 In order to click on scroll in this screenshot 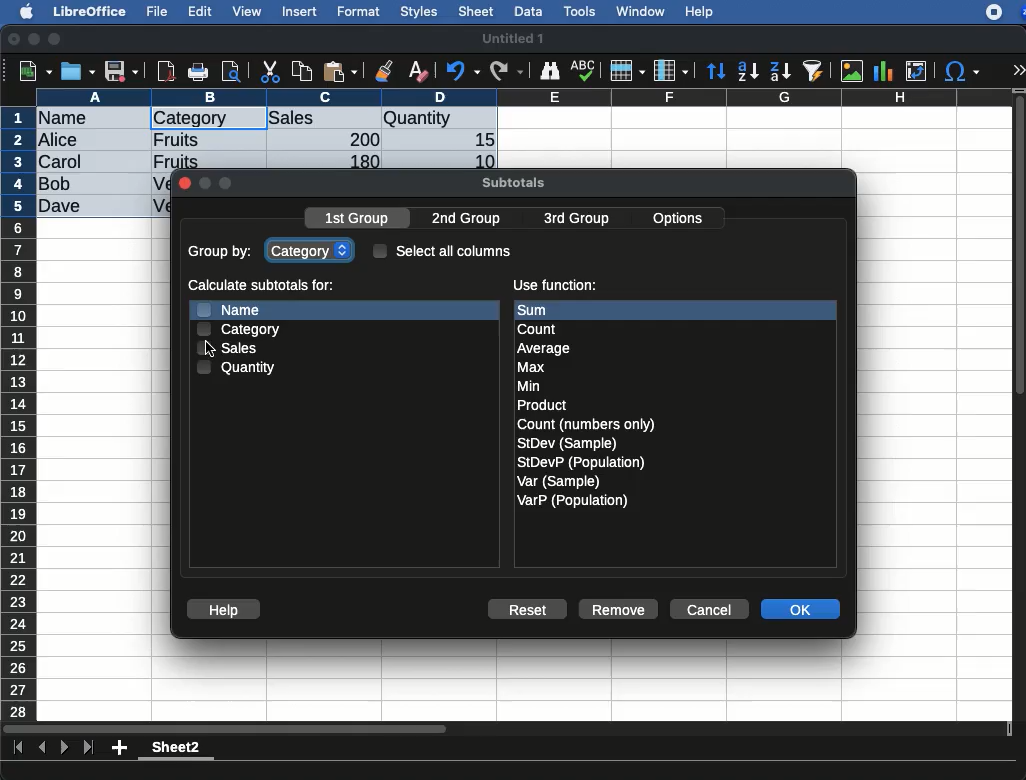, I will do `click(1021, 404)`.